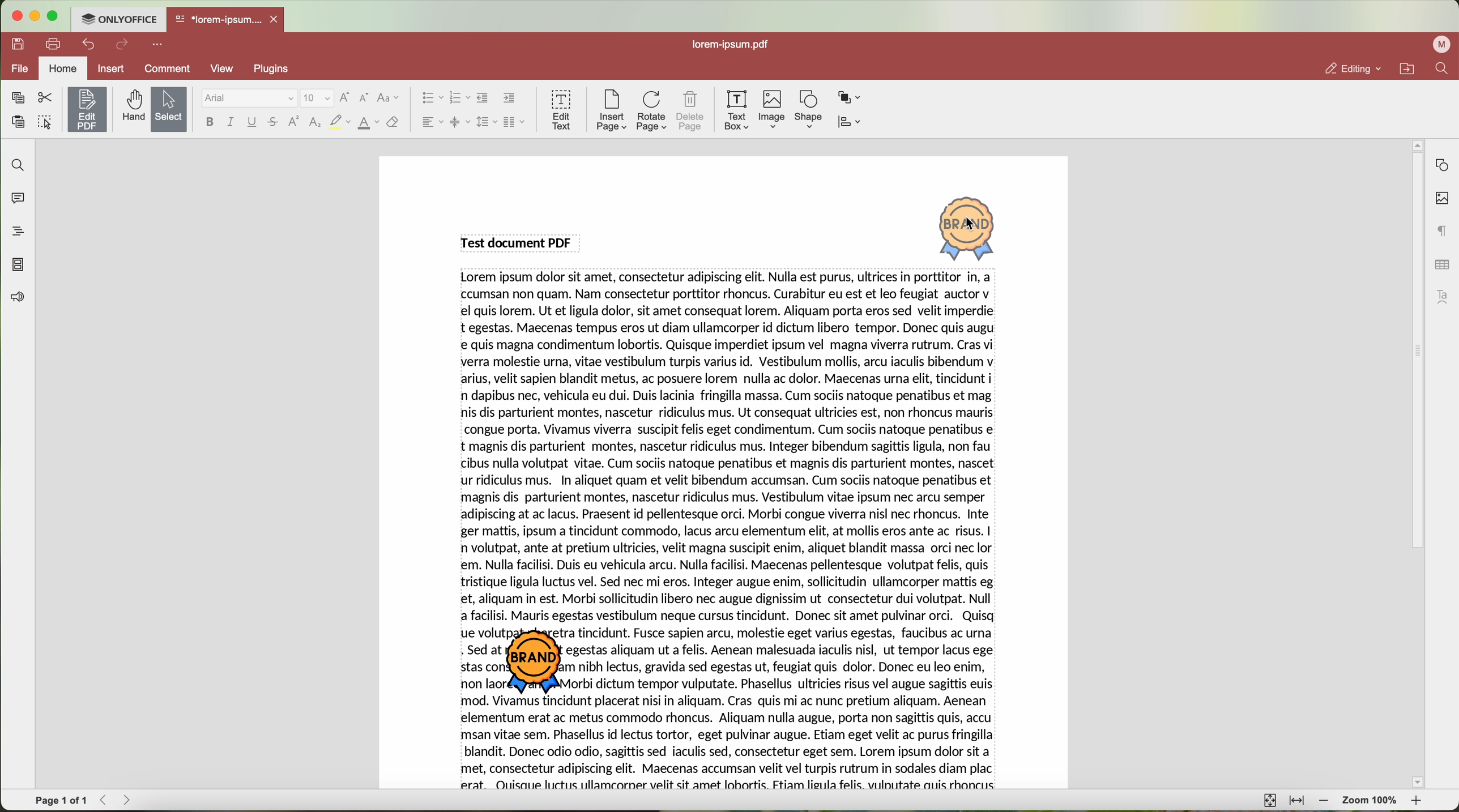 Image resolution: width=1459 pixels, height=812 pixels. What do you see at coordinates (45, 98) in the screenshot?
I see `cut` at bounding box center [45, 98].